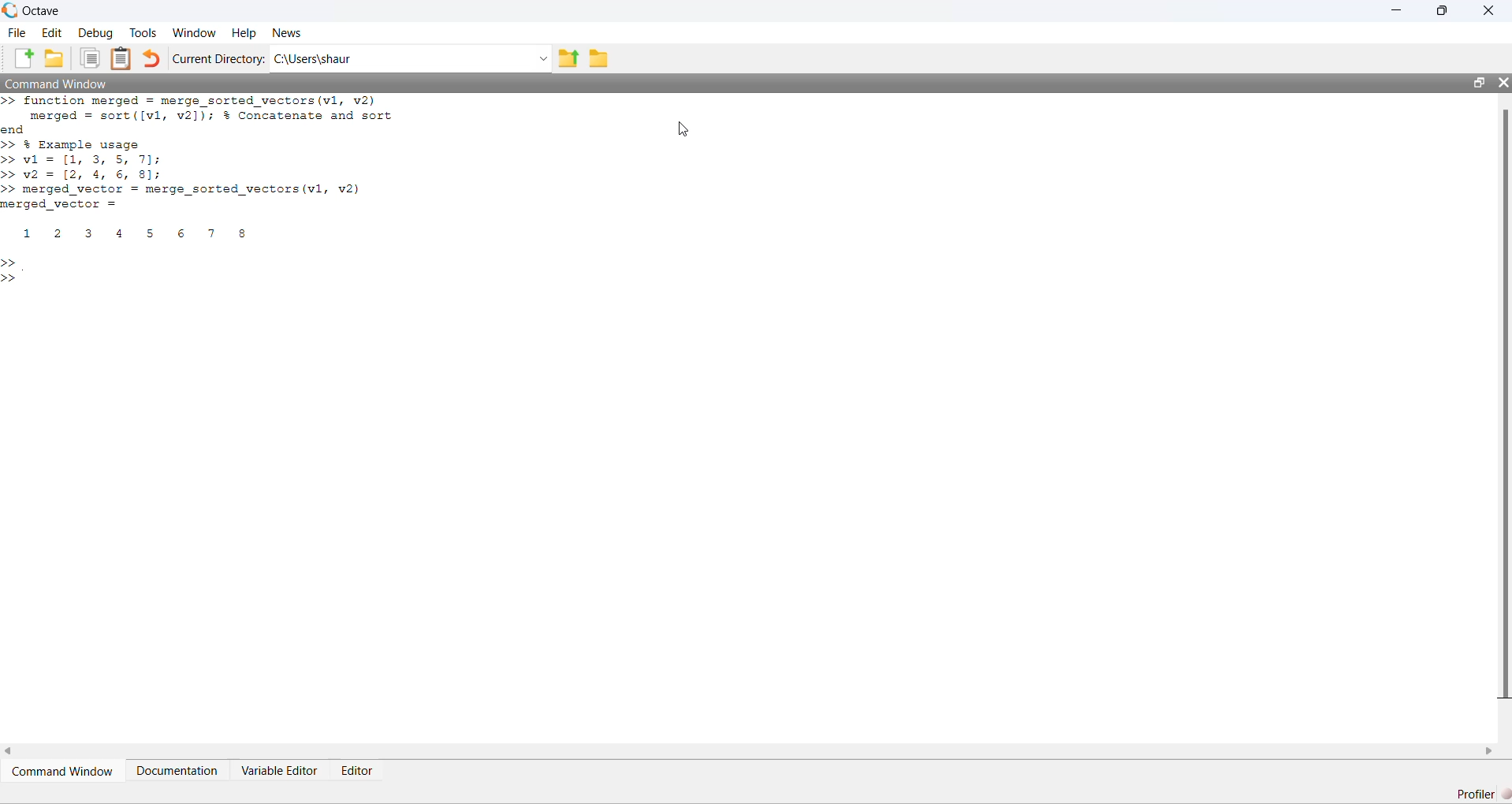  What do you see at coordinates (90, 58) in the screenshot?
I see `copy` at bounding box center [90, 58].